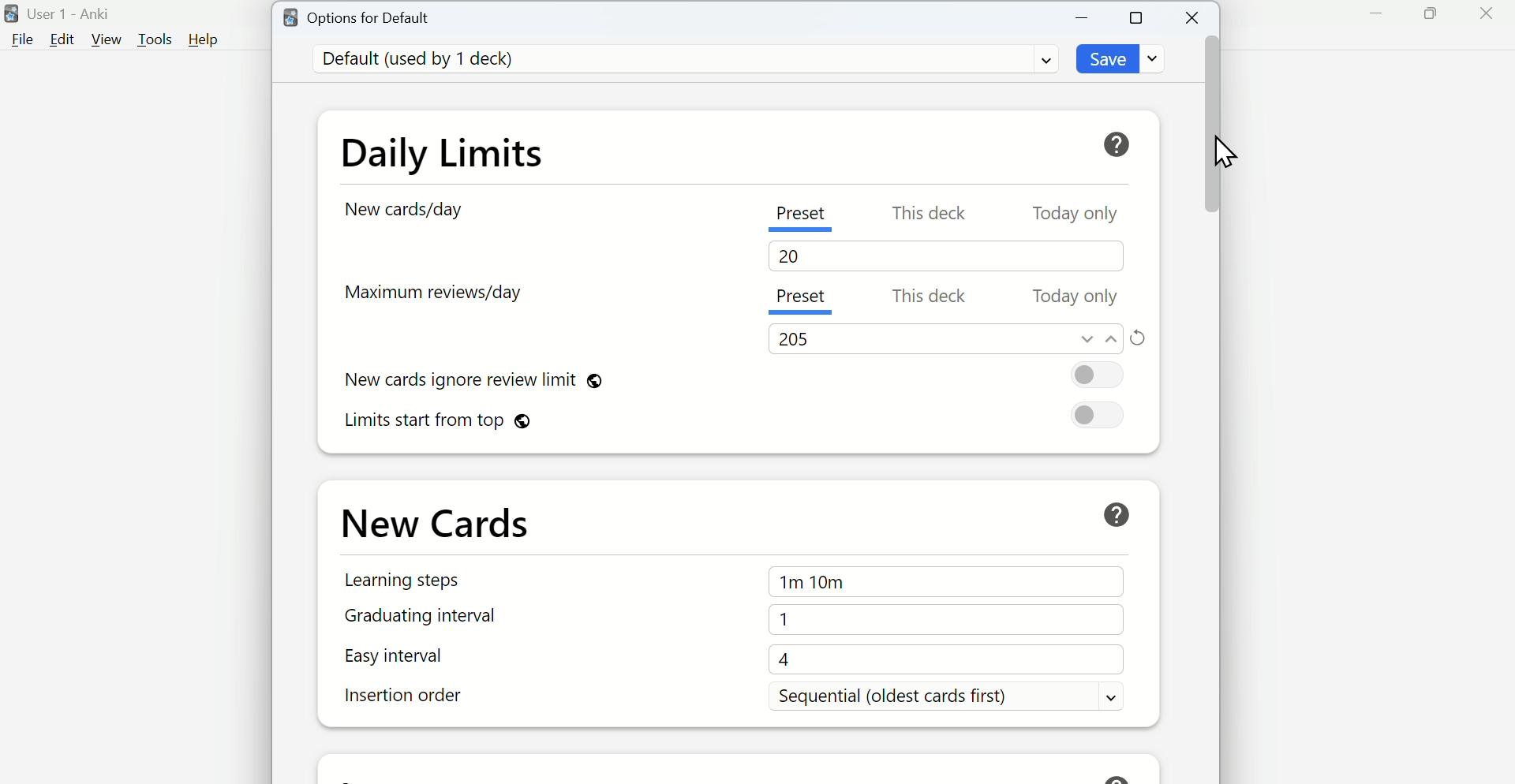  Describe the element at coordinates (1226, 151) in the screenshot. I see `cursor` at that location.